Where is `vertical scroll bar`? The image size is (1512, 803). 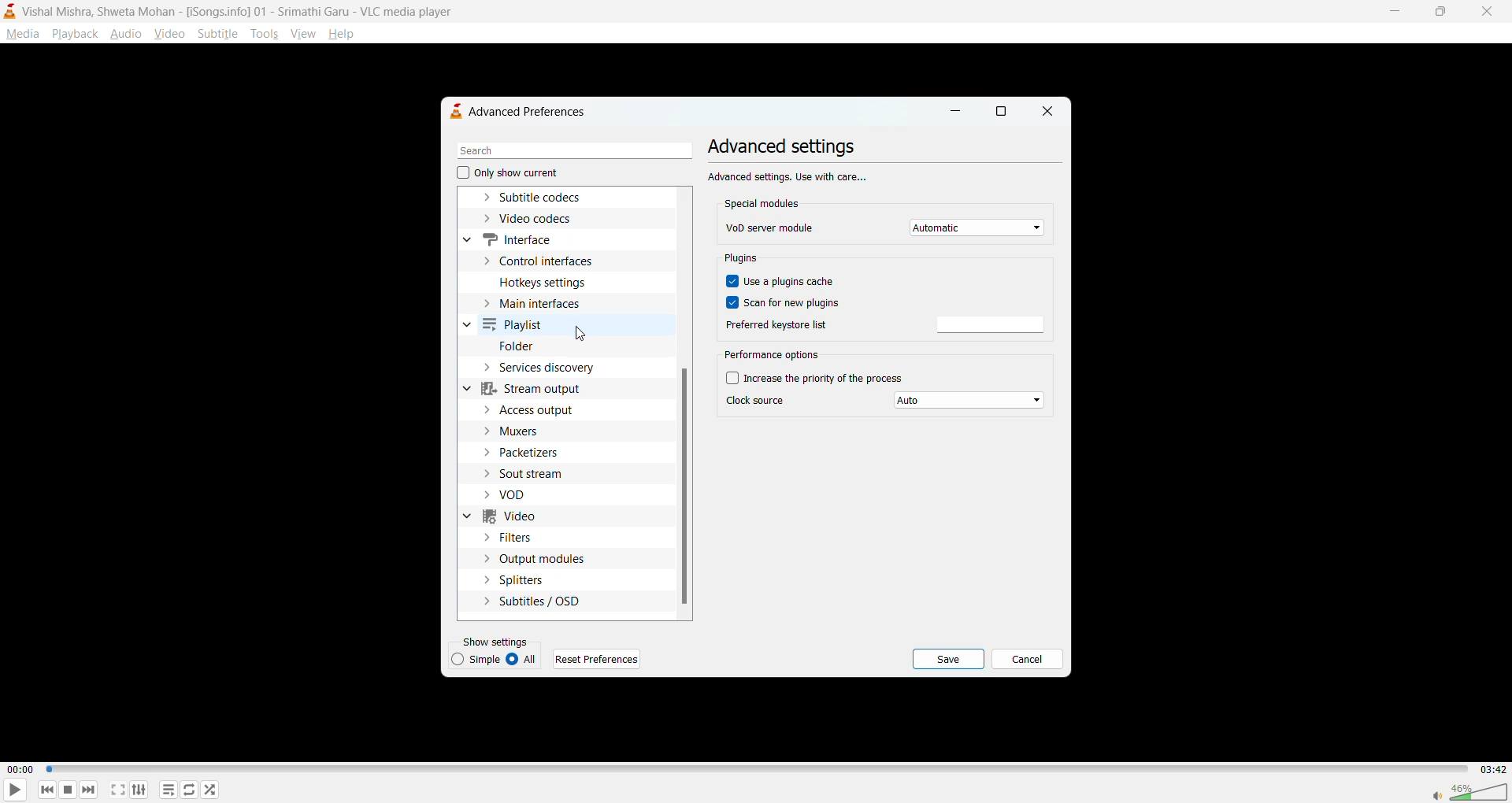 vertical scroll bar is located at coordinates (685, 487).